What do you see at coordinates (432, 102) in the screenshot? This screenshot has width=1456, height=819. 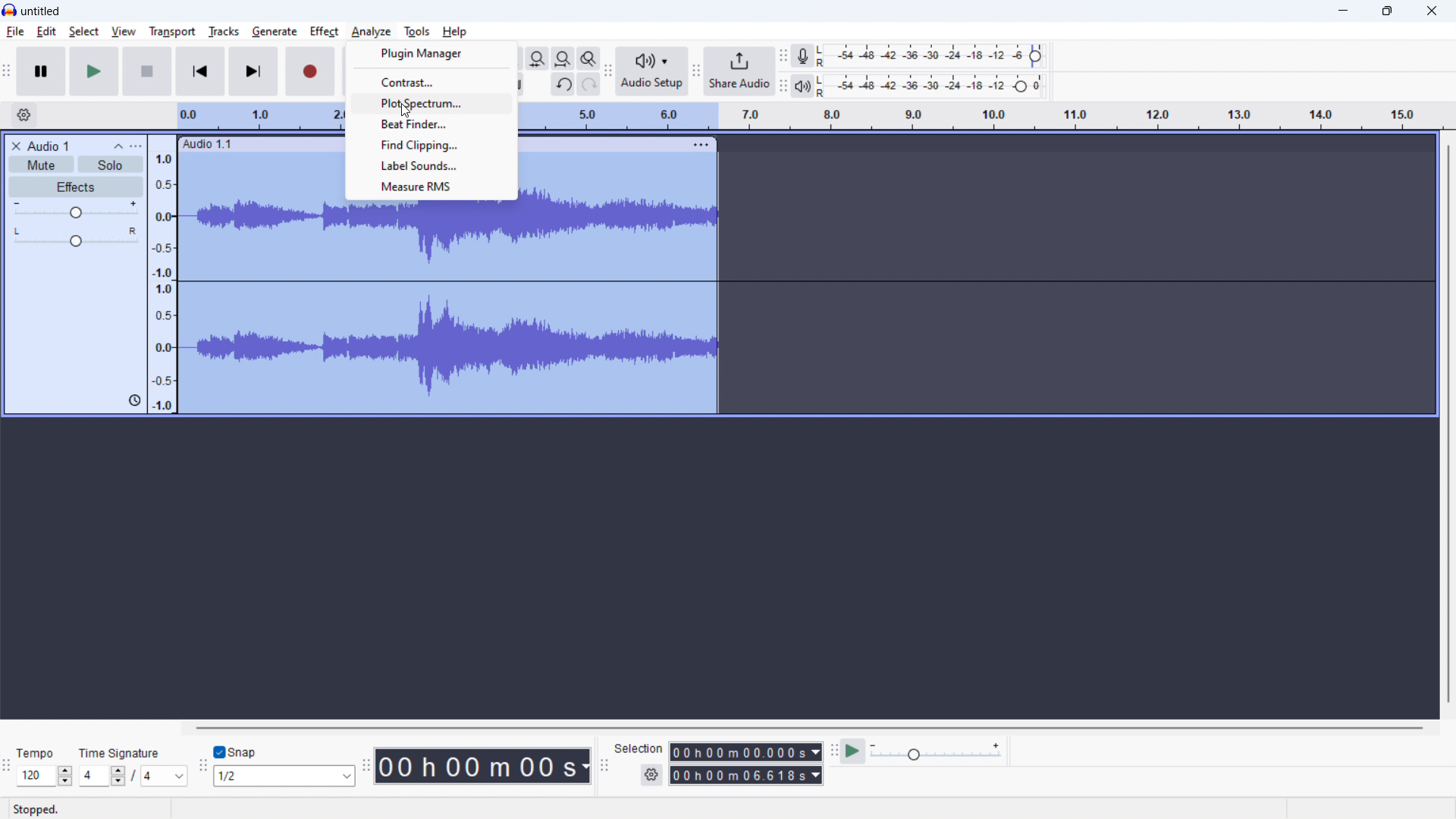 I see `plot spectrum` at bounding box center [432, 102].